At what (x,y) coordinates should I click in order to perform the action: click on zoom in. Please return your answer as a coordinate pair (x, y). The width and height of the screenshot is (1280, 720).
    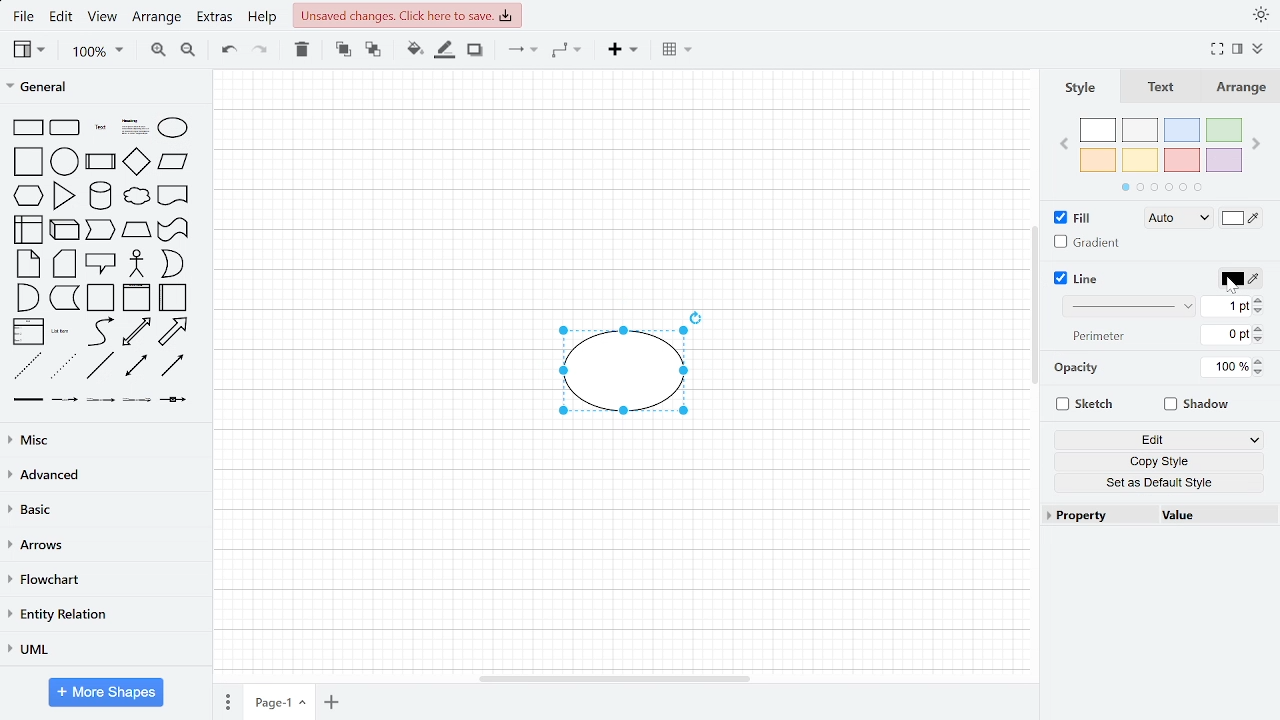
    Looking at the image, I should click on (155, 50).